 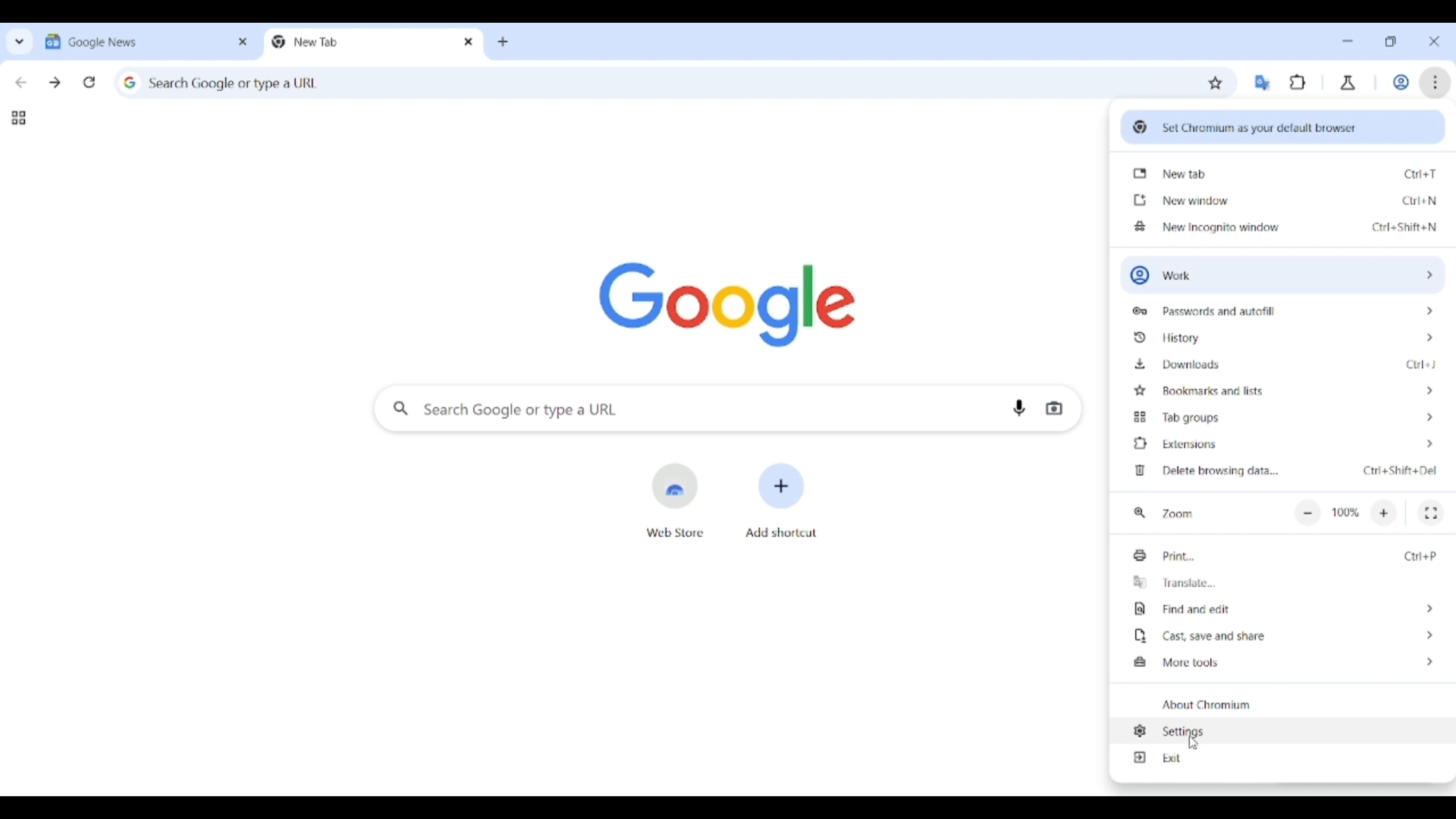 What do you see at coordinates (1282, 472) in the screenshot?
I see `Delete browsing data` at bounding box center [1282, 472].